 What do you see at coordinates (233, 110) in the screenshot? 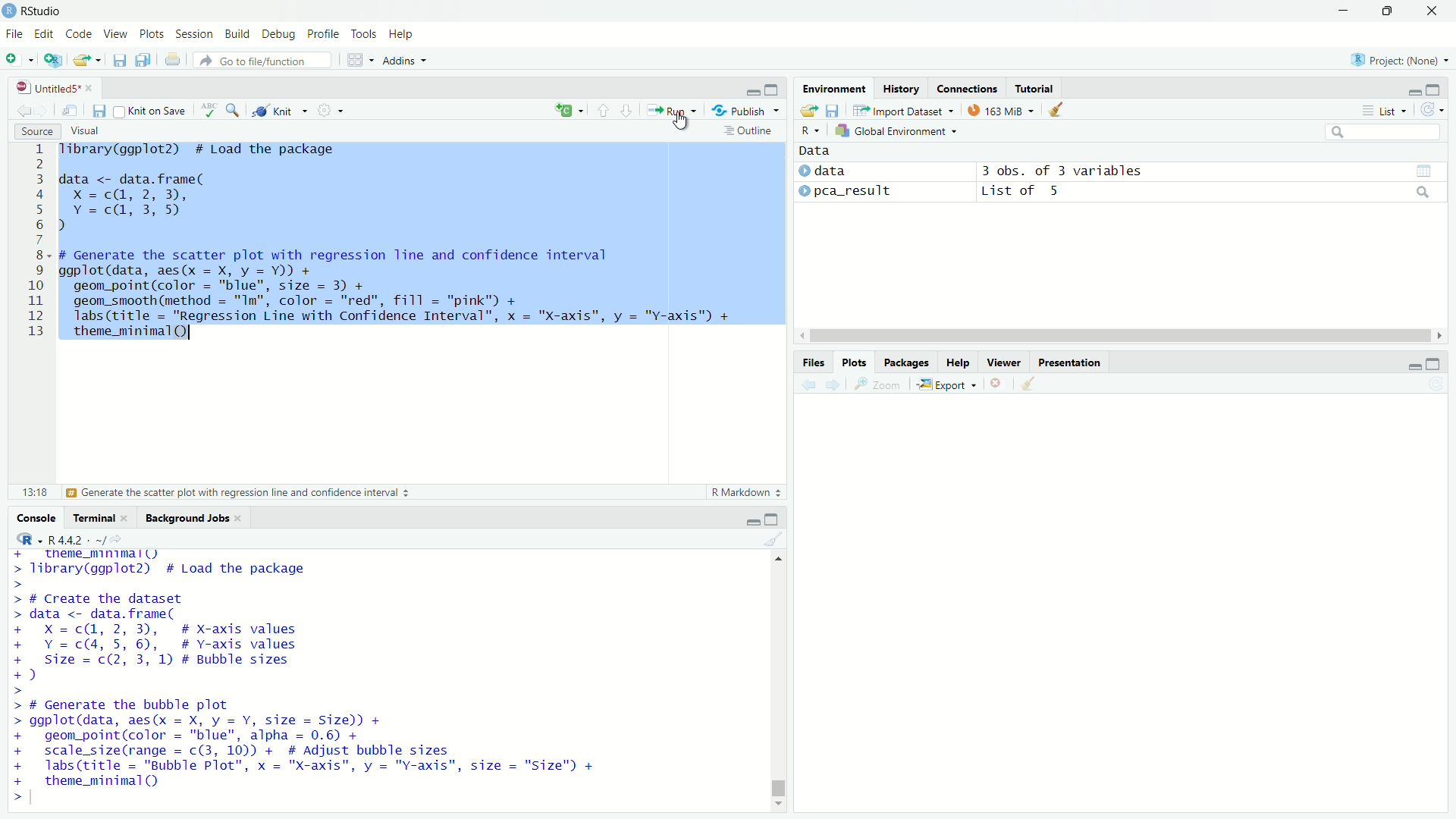
I see `Find/Replace` at bounding box center [233, 110].